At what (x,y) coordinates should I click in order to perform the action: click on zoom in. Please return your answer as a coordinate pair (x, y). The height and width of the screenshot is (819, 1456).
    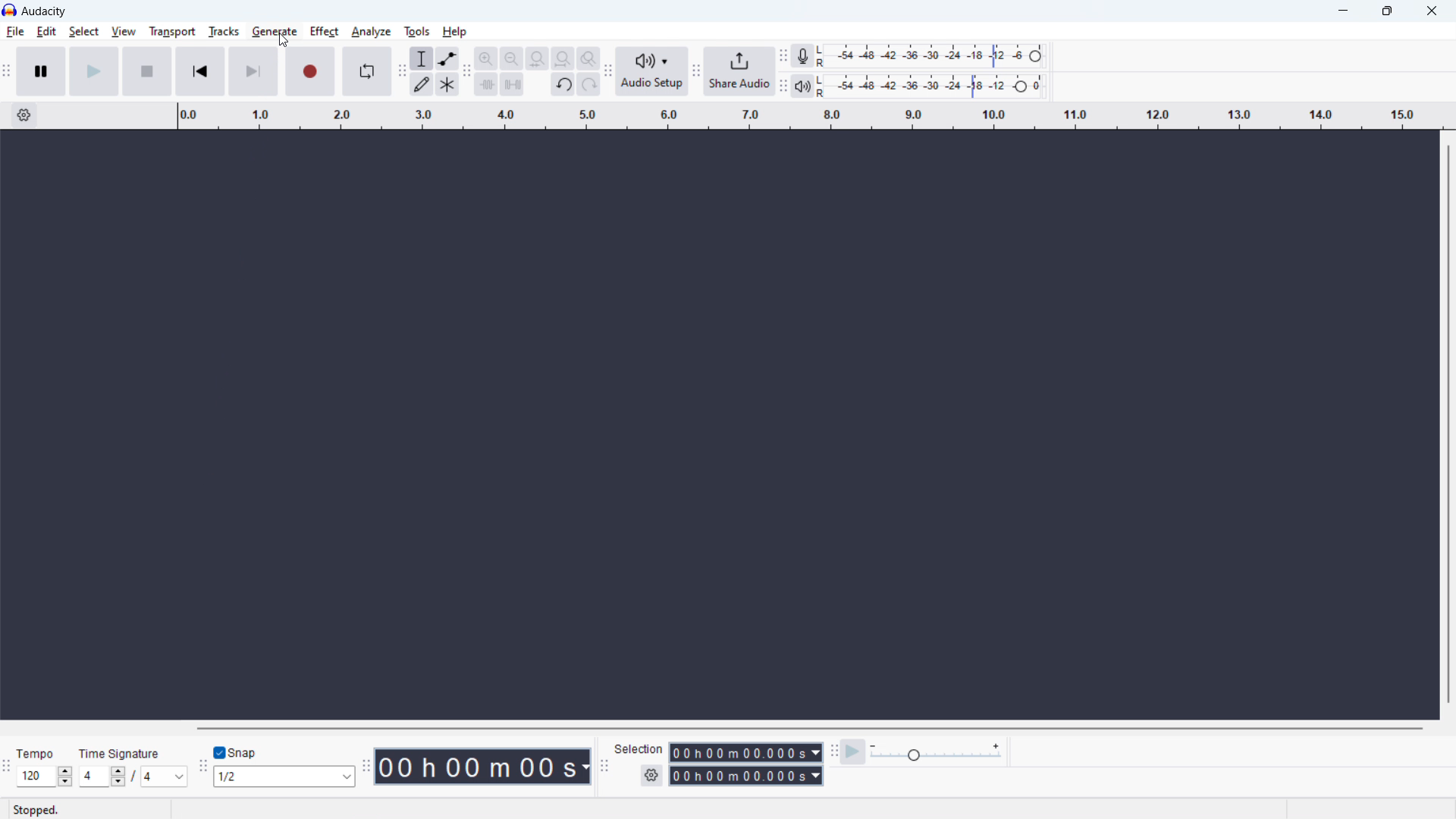
    Looking at the image, I should click on (486, 58).